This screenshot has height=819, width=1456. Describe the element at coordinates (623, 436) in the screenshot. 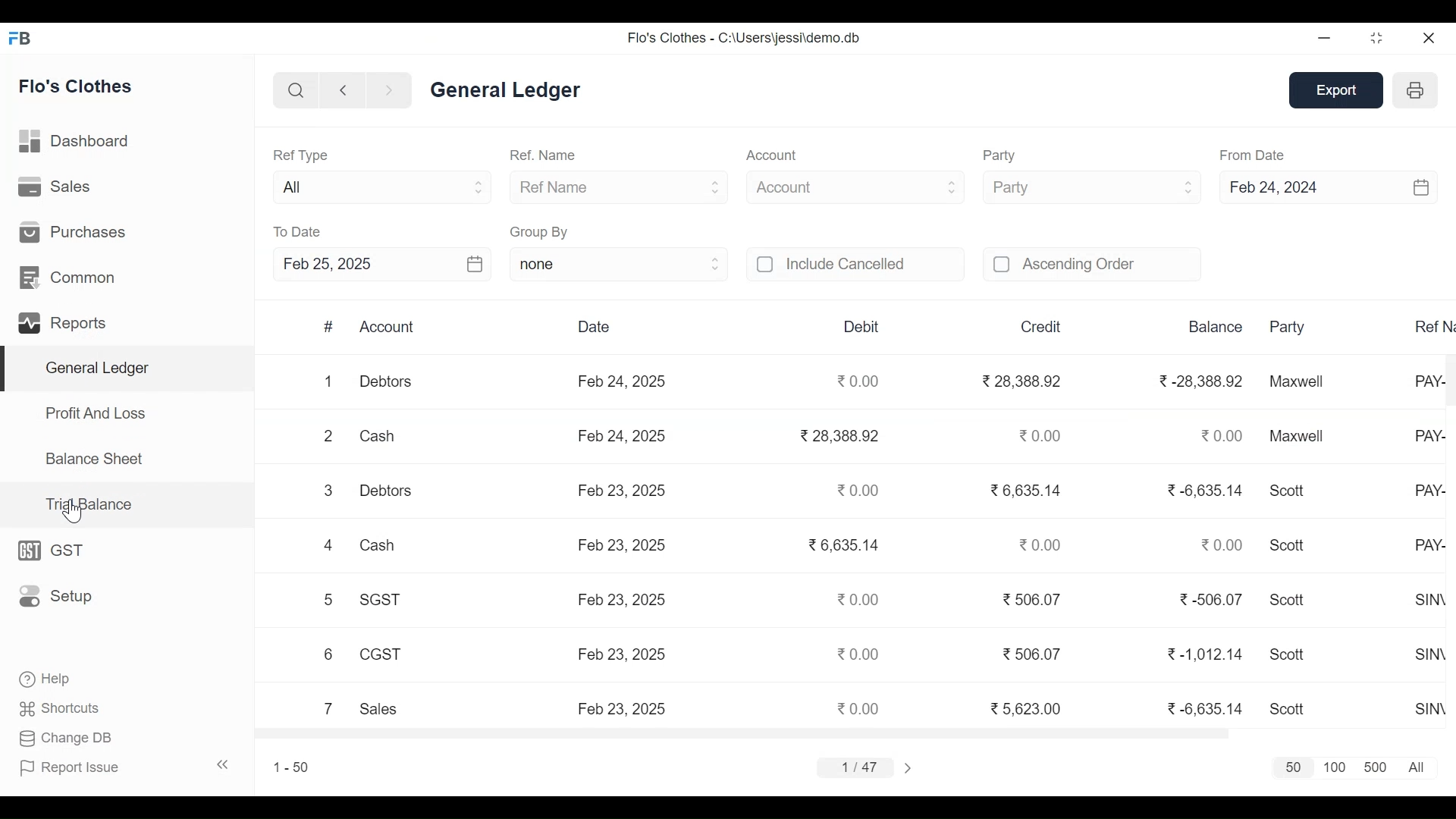

I see `Feb 24, 2025` at that location.